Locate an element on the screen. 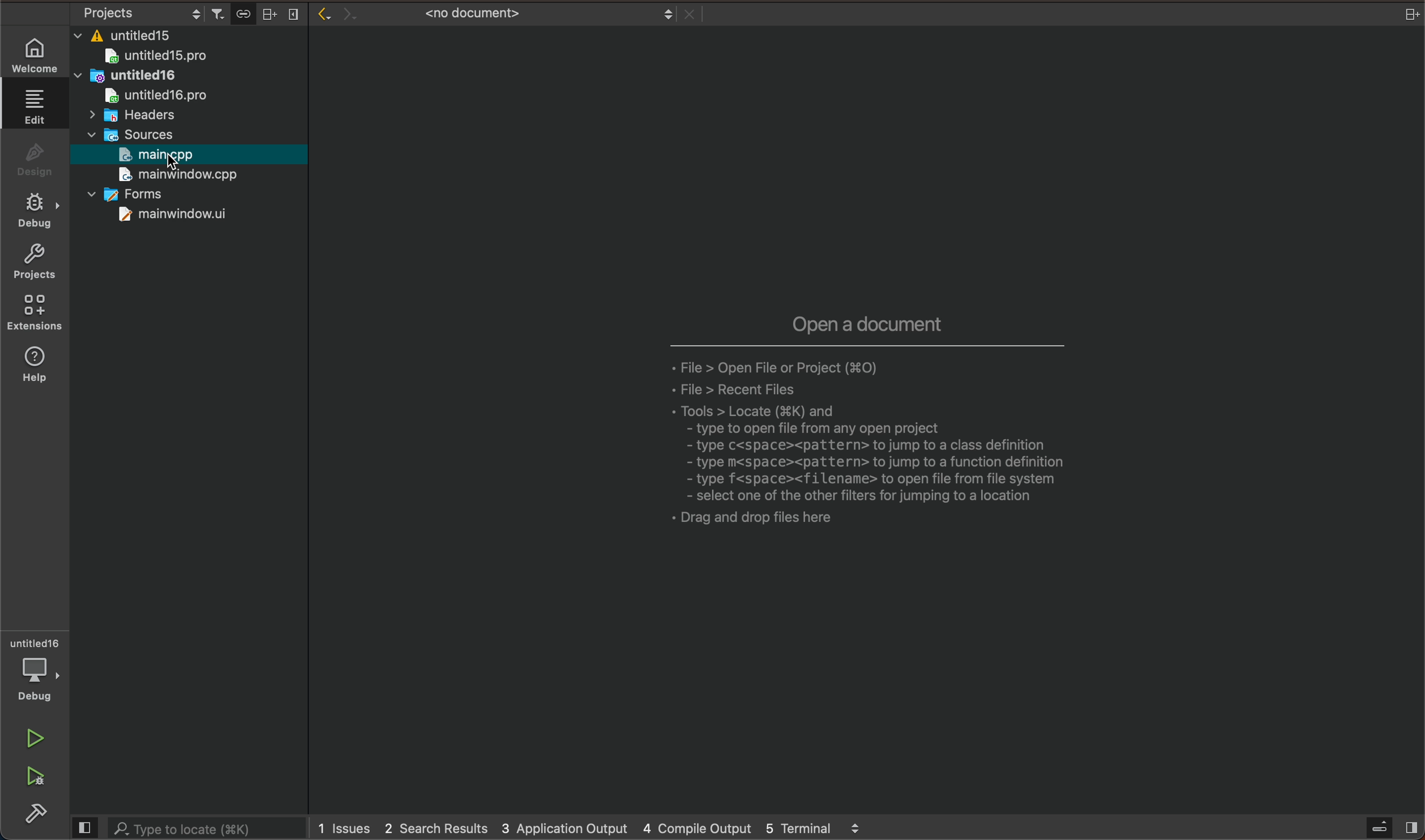 The height and width of the screenshot is (840, 1425). debug is located at coordinates (35, 212).